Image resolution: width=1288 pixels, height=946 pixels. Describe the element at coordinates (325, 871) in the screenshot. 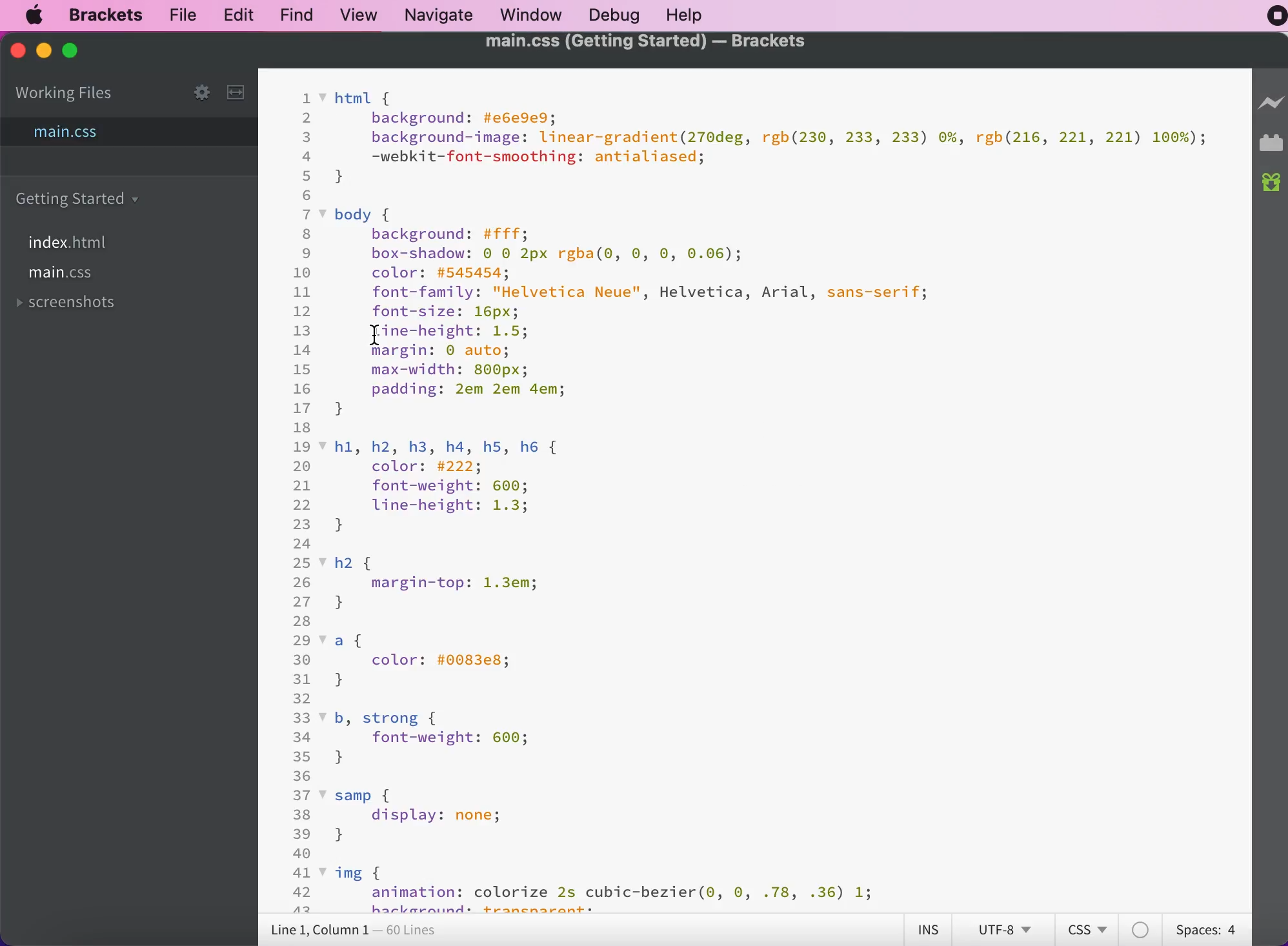

I see `code fold` at that location.